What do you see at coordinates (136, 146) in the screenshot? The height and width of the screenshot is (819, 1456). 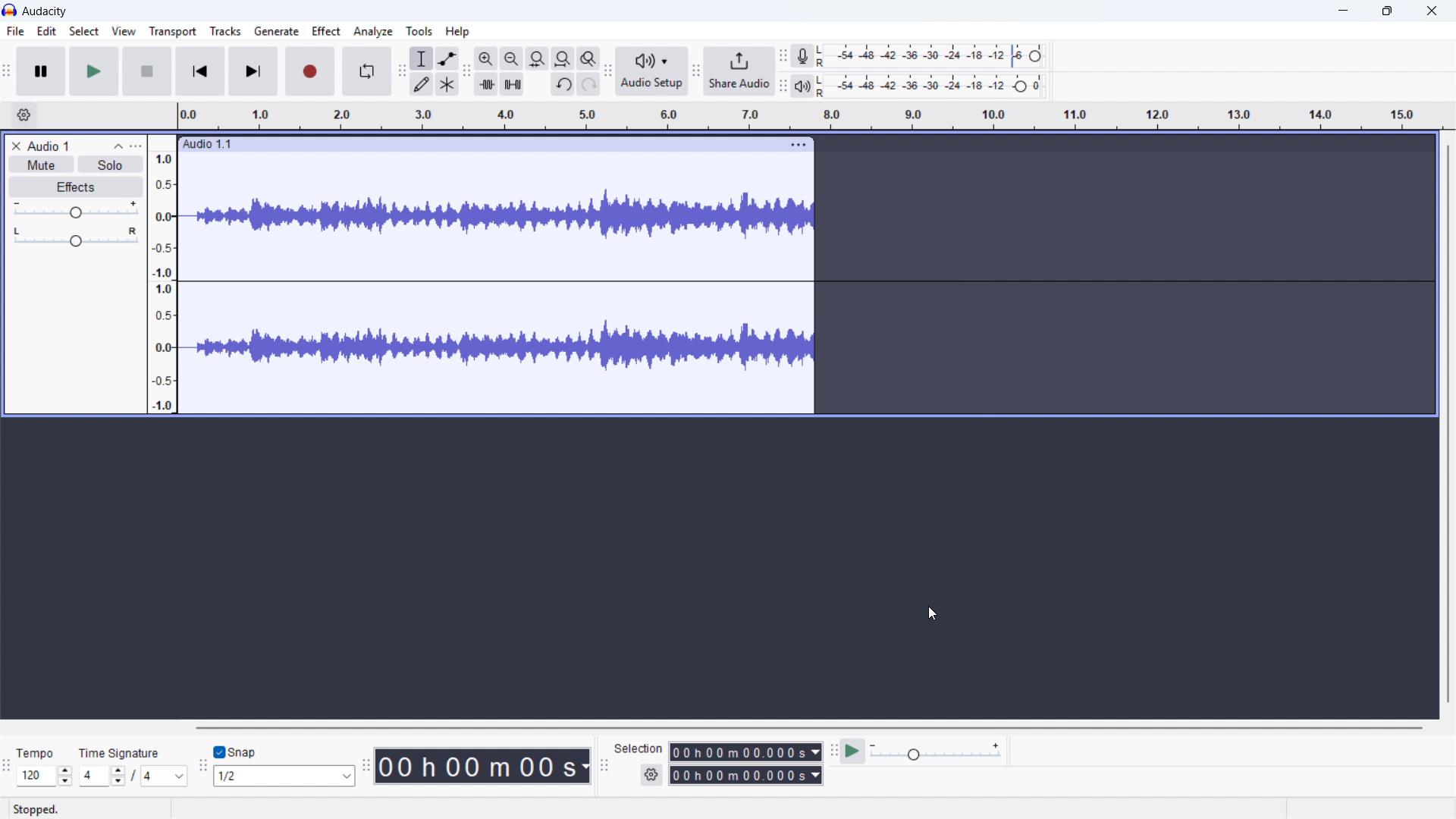 I see `Track control panel menu ` at bounding box center [136, 146].